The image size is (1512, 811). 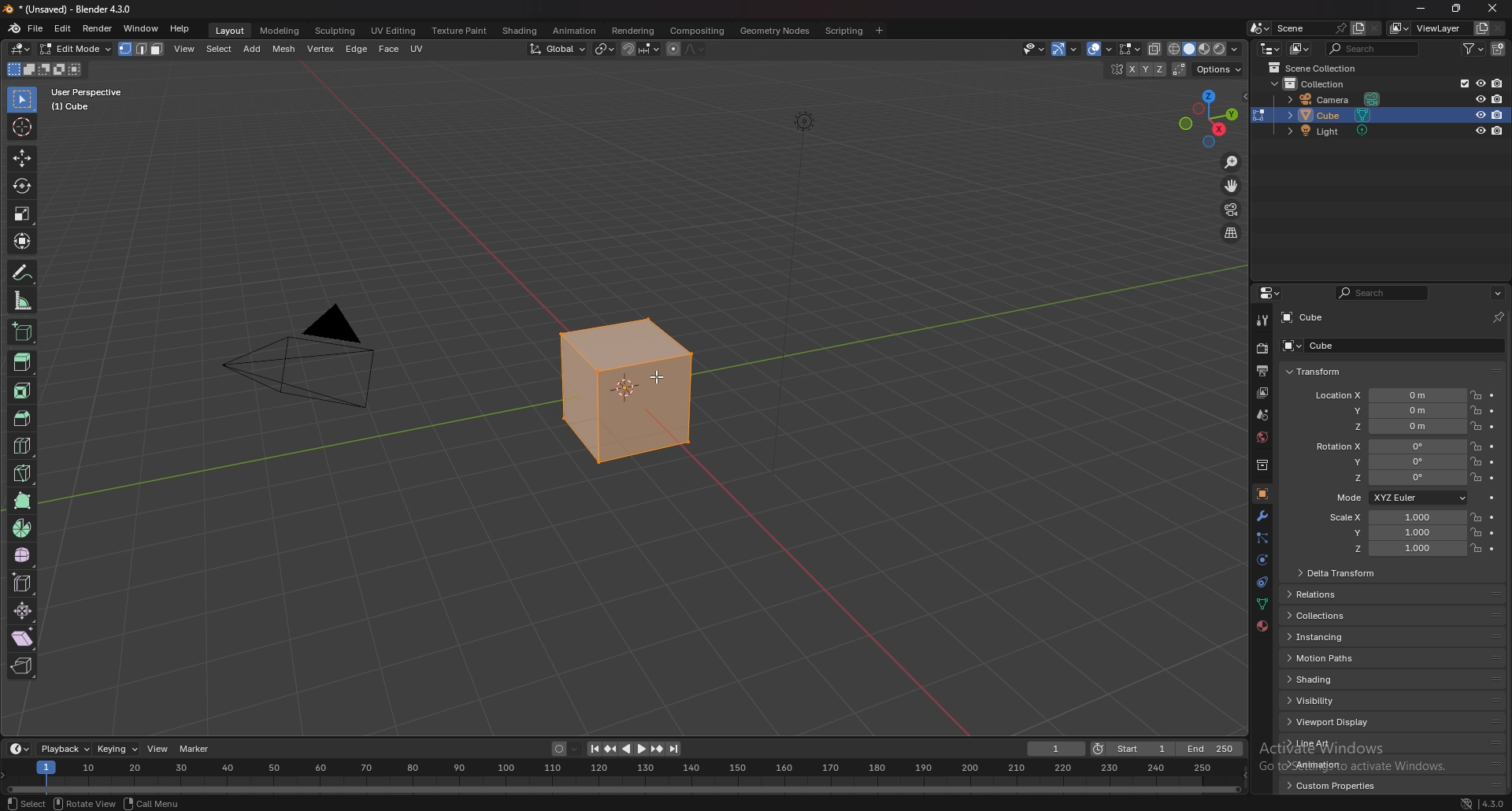 What do you see at coordinates (1466, 802) in the screenshot?
I see `network` at bounding box center [1466, 802].